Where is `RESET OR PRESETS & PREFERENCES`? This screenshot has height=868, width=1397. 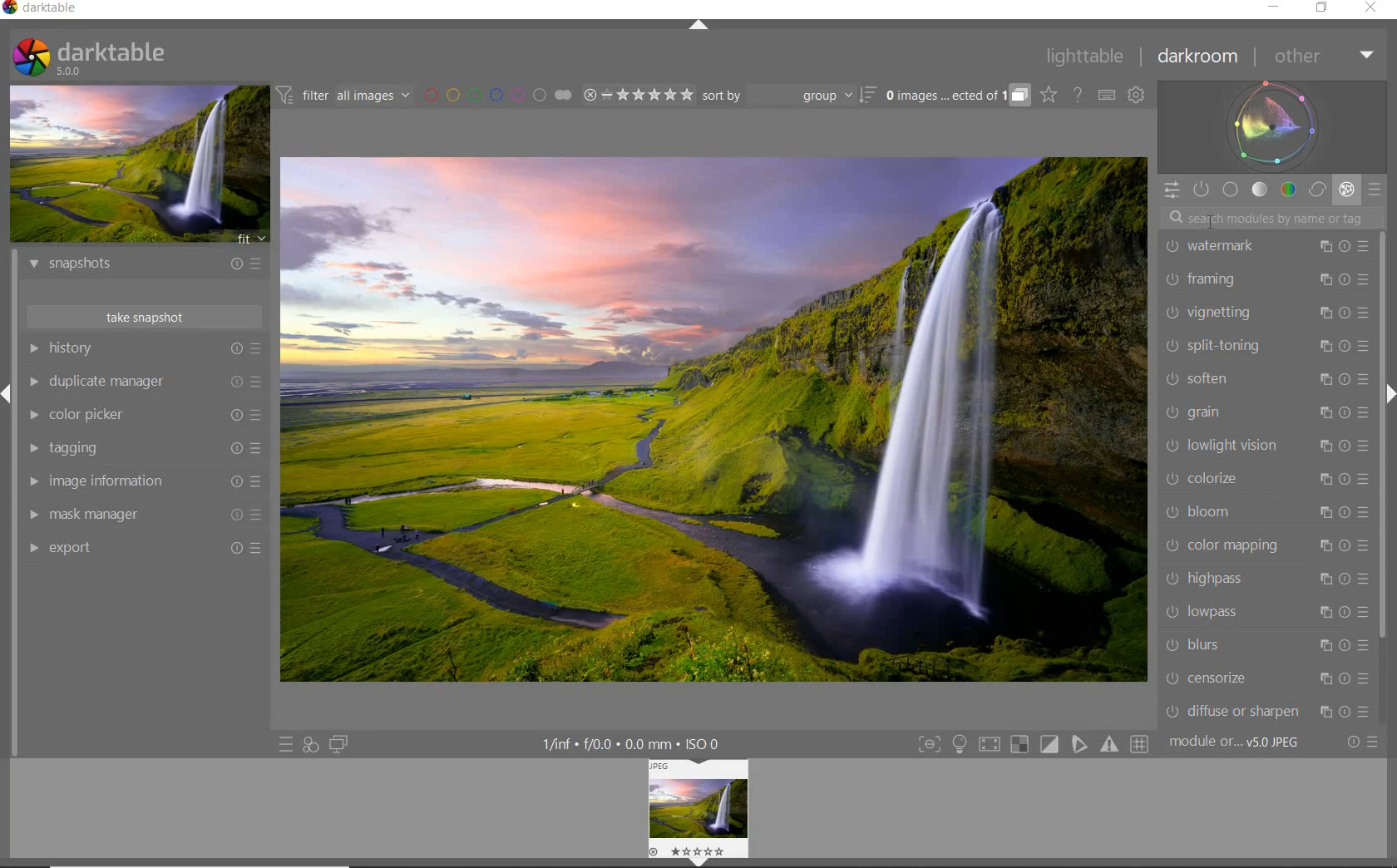 RESET OR PRESETS & PREFERENCES is located at coordinates (1362, 743).